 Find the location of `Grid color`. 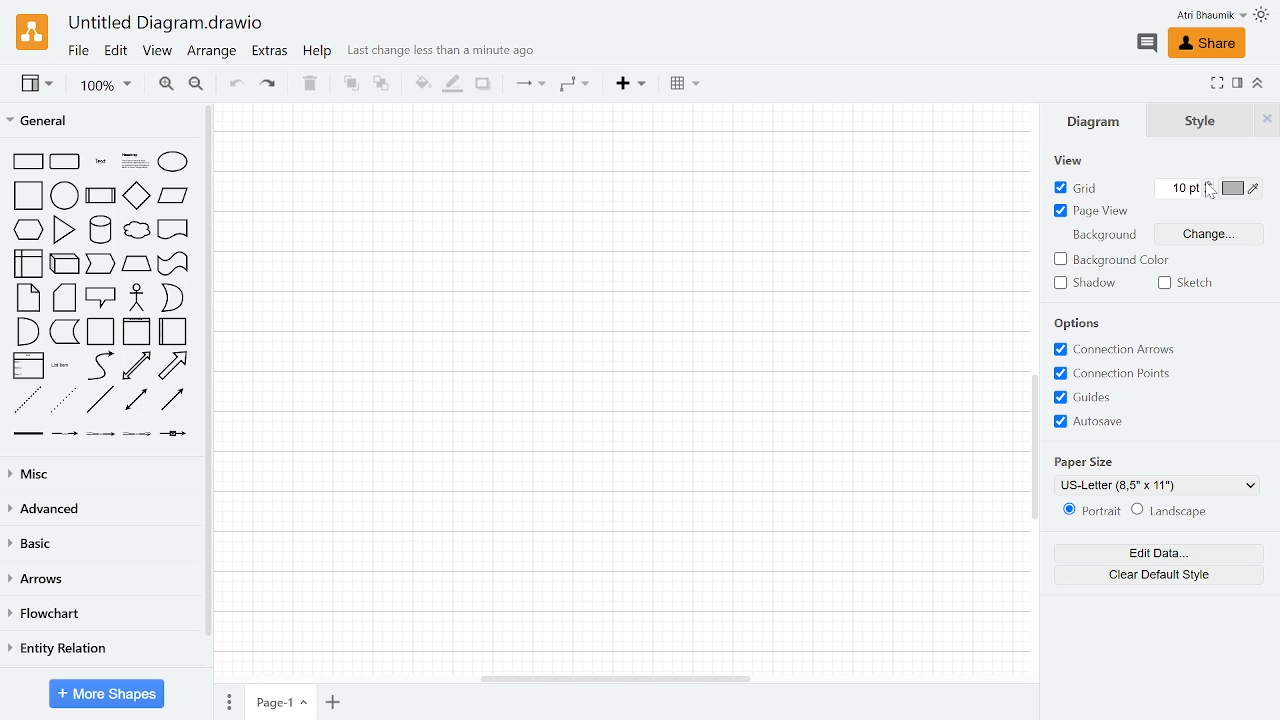

Grid color is located at coordinates (1244, 189).